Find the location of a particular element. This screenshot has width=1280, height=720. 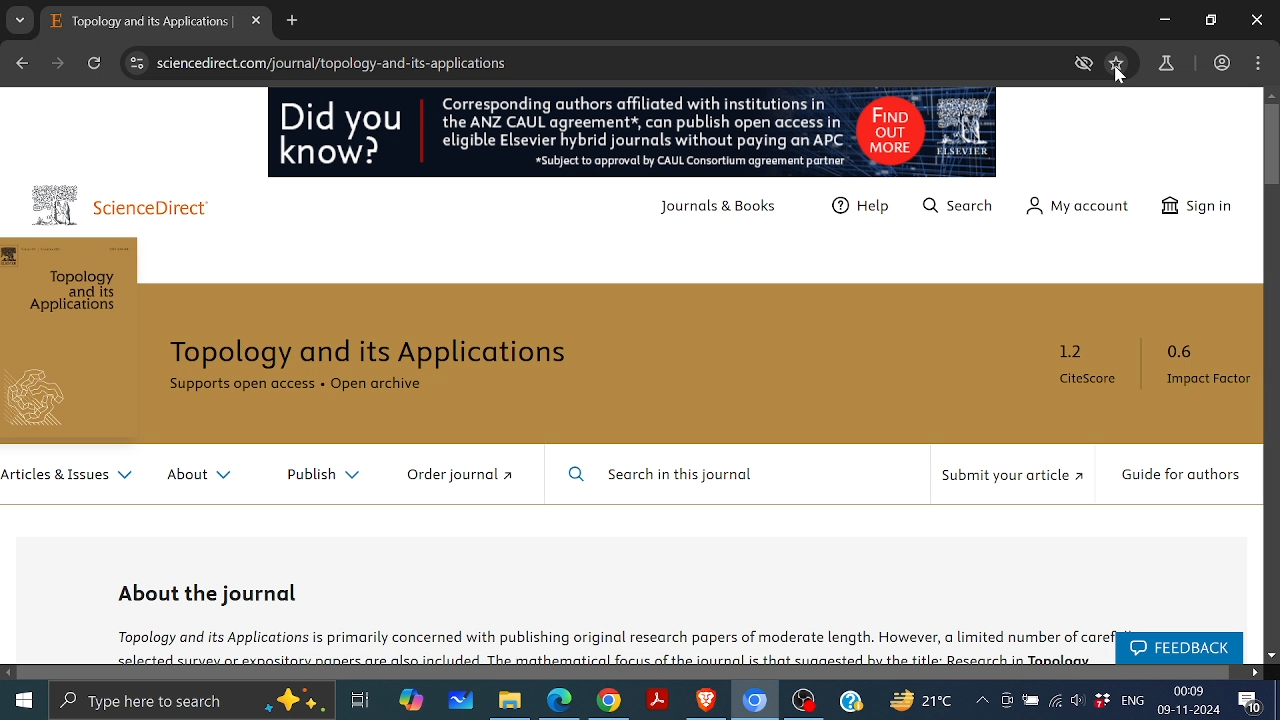

Reload is located at coordinates (94, 64).